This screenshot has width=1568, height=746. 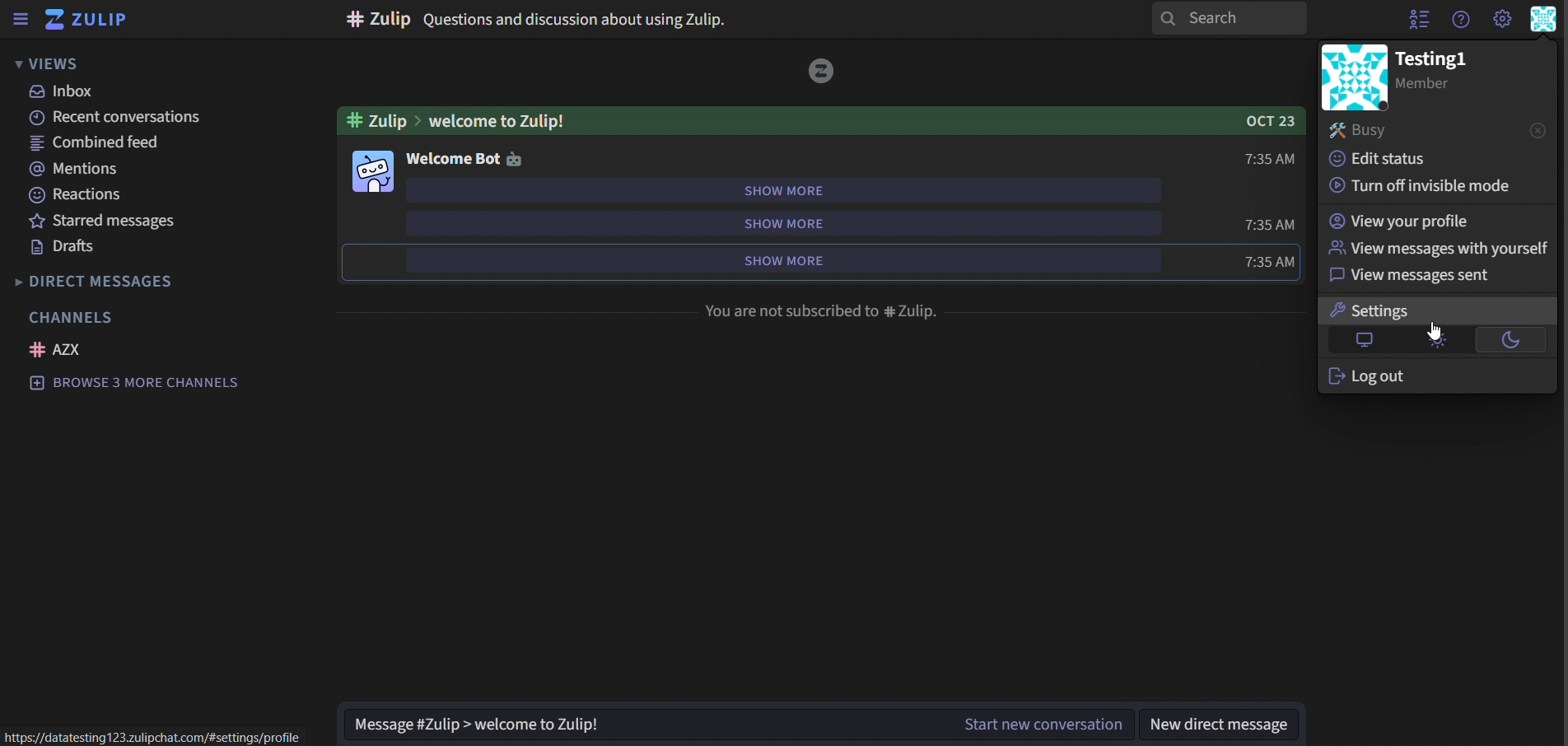 What do you see at coordinates (1384, 308) in the screenshot?
I see `settings` at bounding box center [1384, 308].